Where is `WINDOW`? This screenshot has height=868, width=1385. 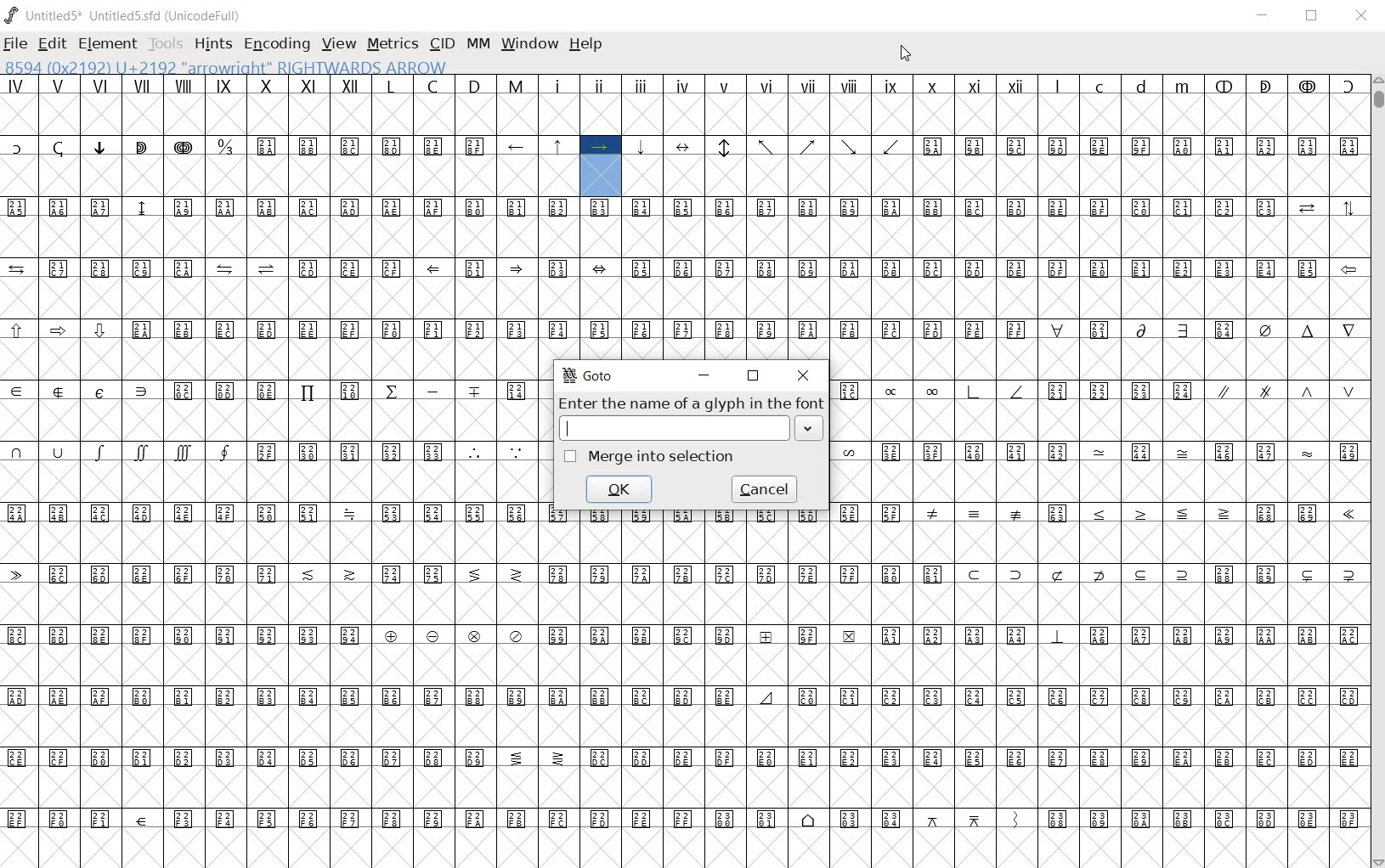 WINDOW is located at coordinates (530, 45).